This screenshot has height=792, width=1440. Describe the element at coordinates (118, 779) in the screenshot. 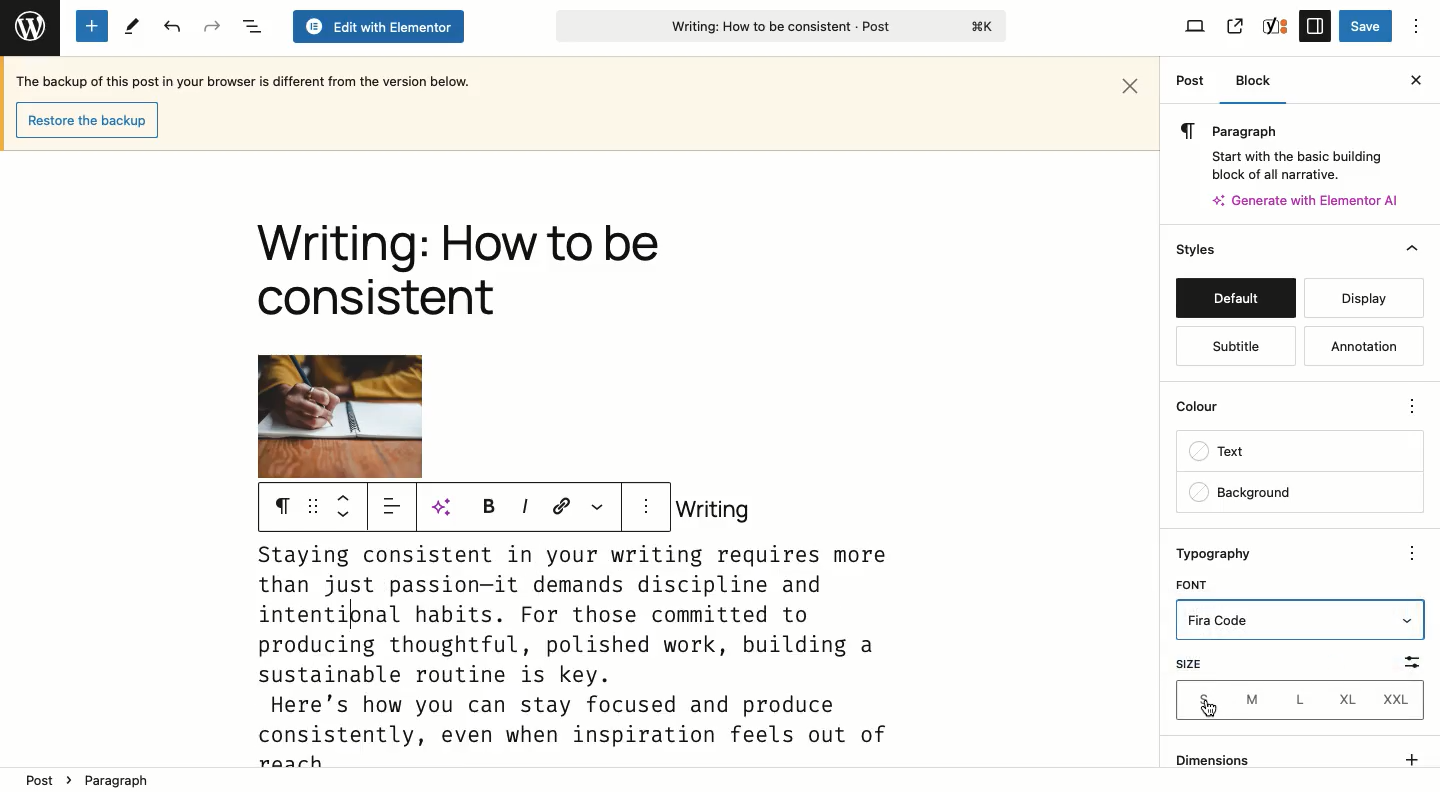

I see `Paragraph` at that location.